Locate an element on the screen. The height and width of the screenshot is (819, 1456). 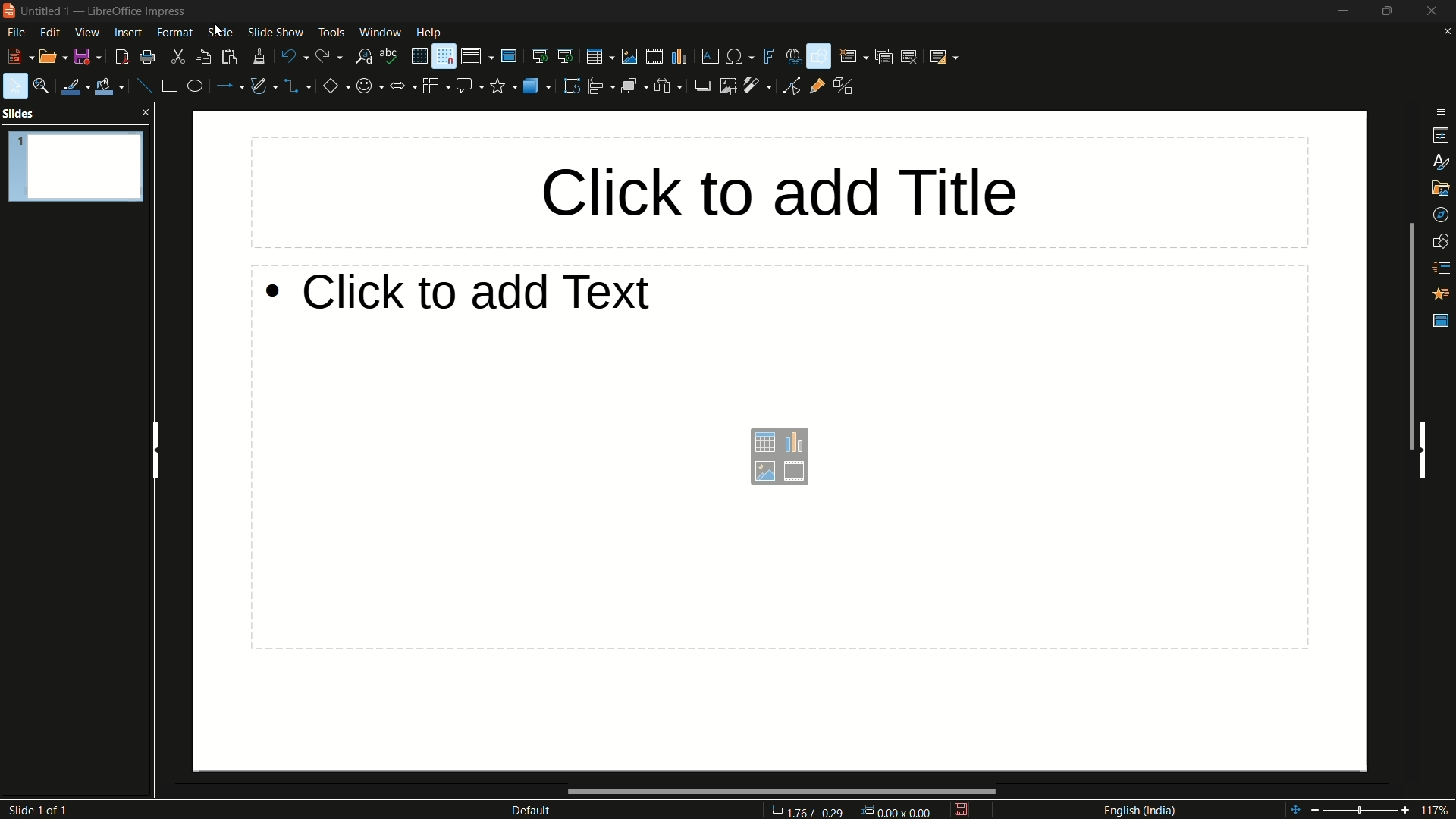
spelling is located at coordinates (390, 57).